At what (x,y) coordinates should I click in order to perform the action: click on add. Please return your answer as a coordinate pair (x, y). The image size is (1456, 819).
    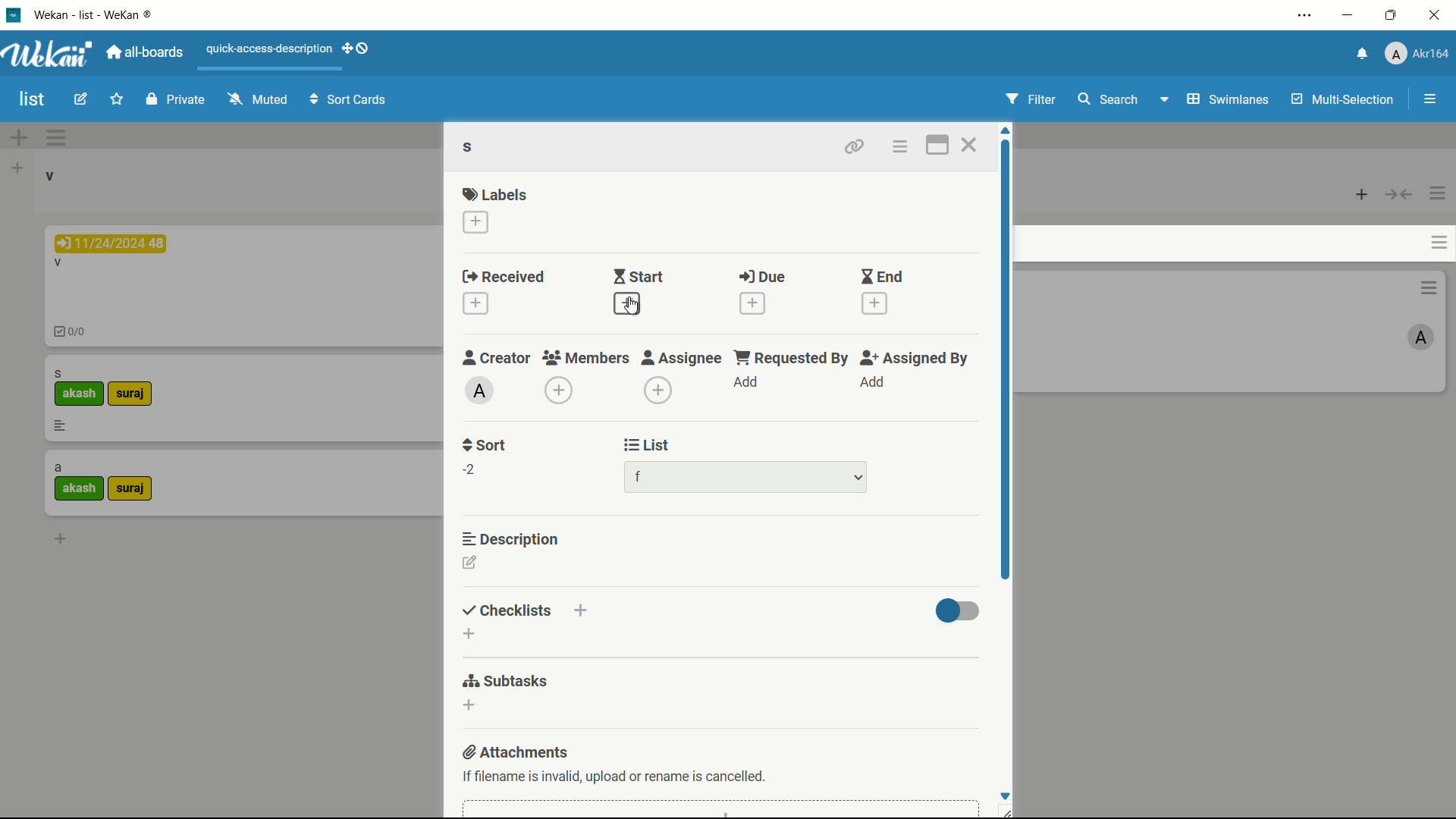
    Looking at the image, I should click on (748, 384).